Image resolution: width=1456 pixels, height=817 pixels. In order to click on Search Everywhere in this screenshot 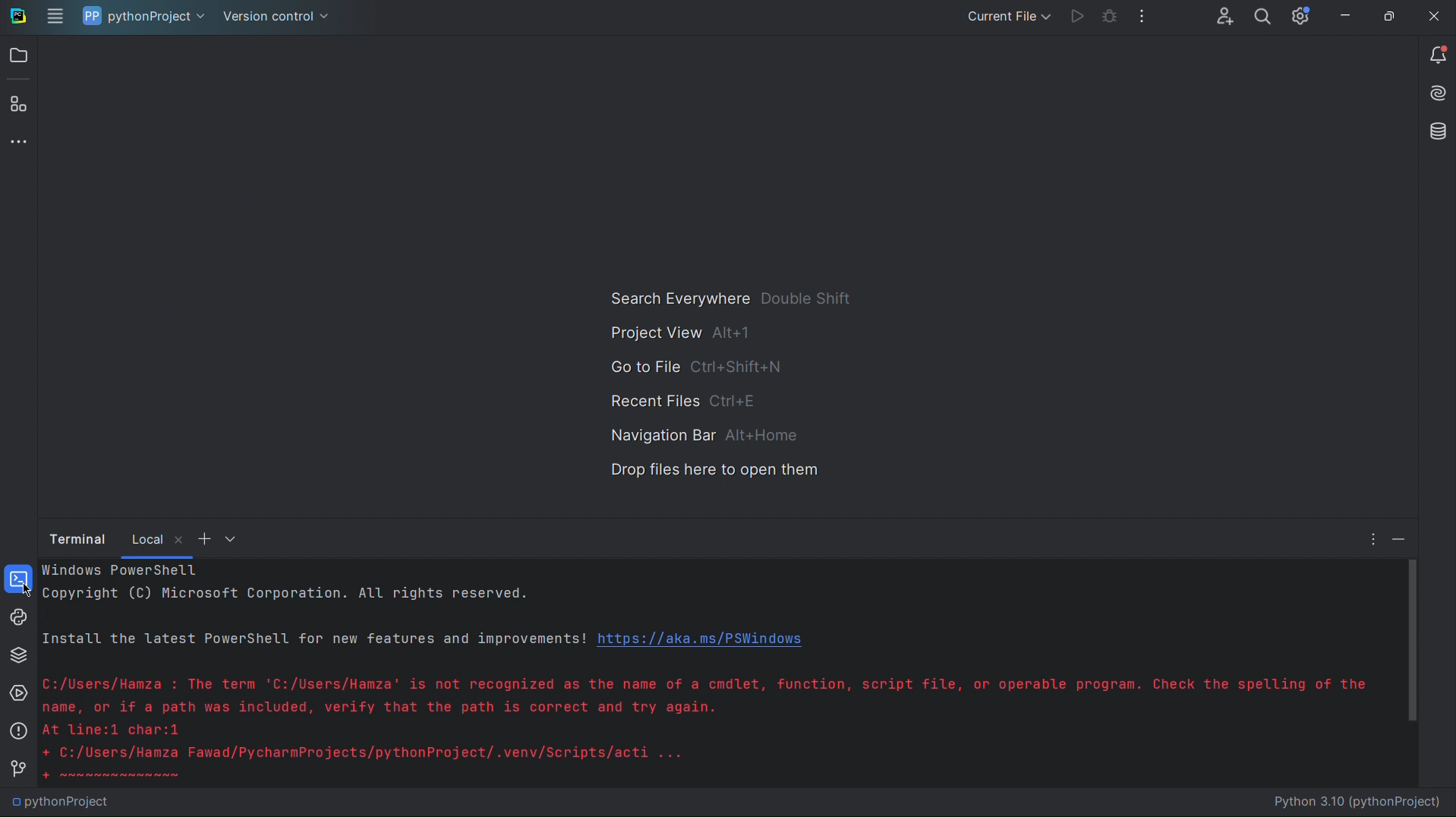, I will do `click(733, 294)`.